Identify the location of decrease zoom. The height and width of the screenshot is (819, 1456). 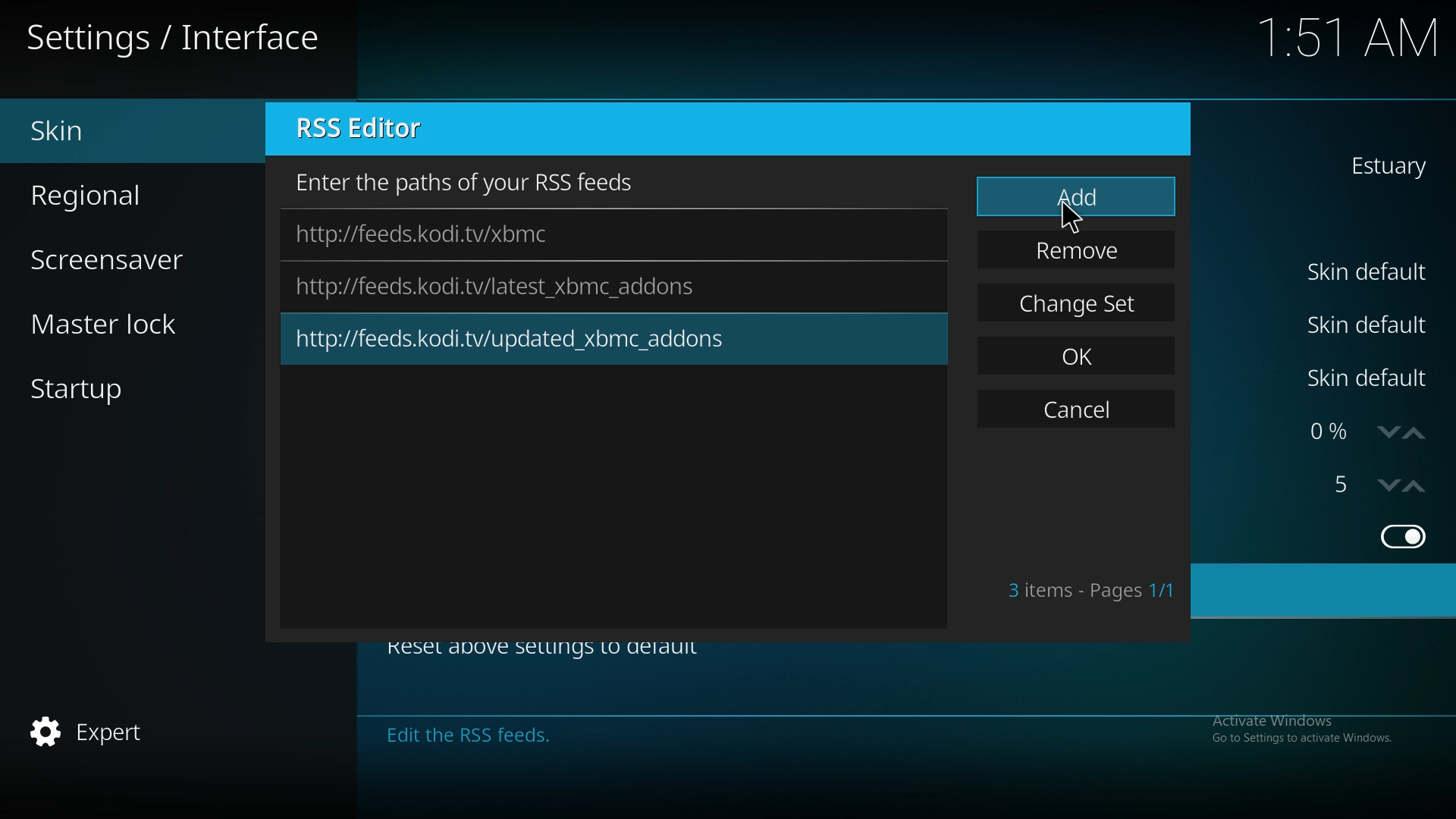
(1386, 433).